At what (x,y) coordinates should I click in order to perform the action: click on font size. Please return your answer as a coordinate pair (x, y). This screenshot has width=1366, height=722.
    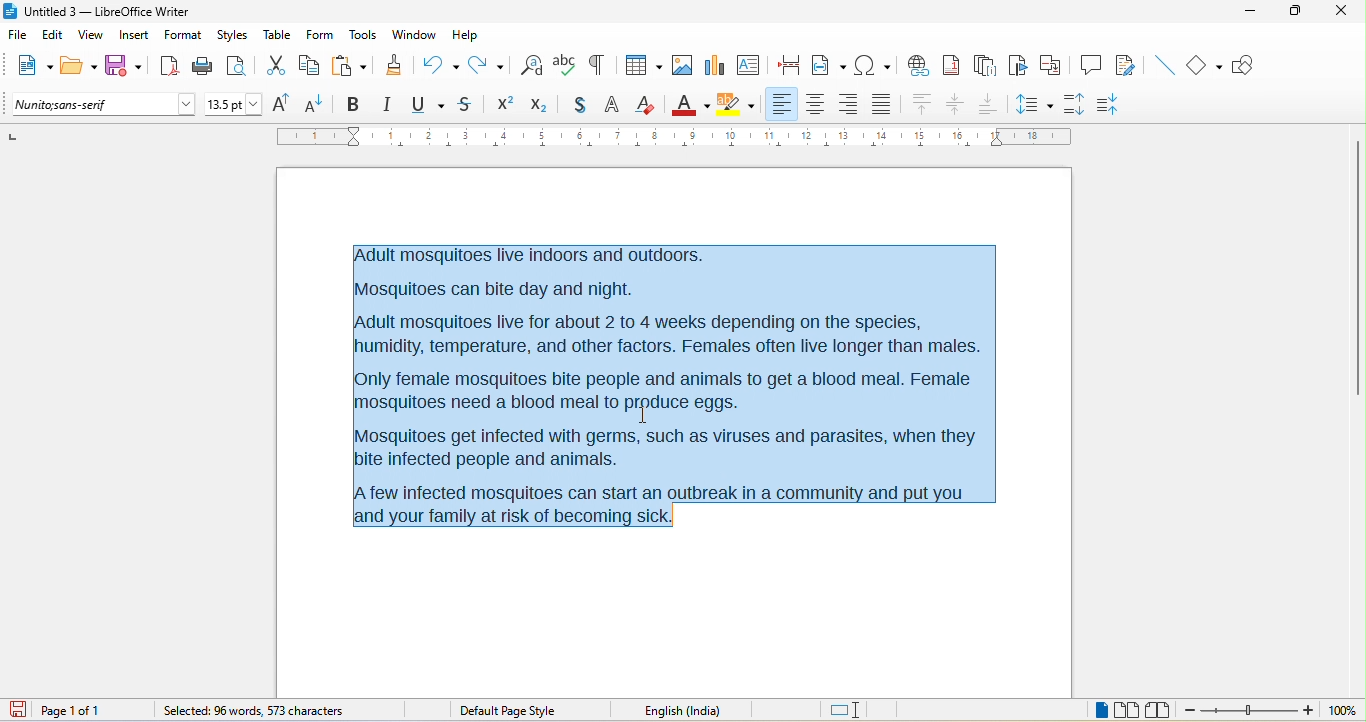
    Looking at the image, I should click on (234, 104).